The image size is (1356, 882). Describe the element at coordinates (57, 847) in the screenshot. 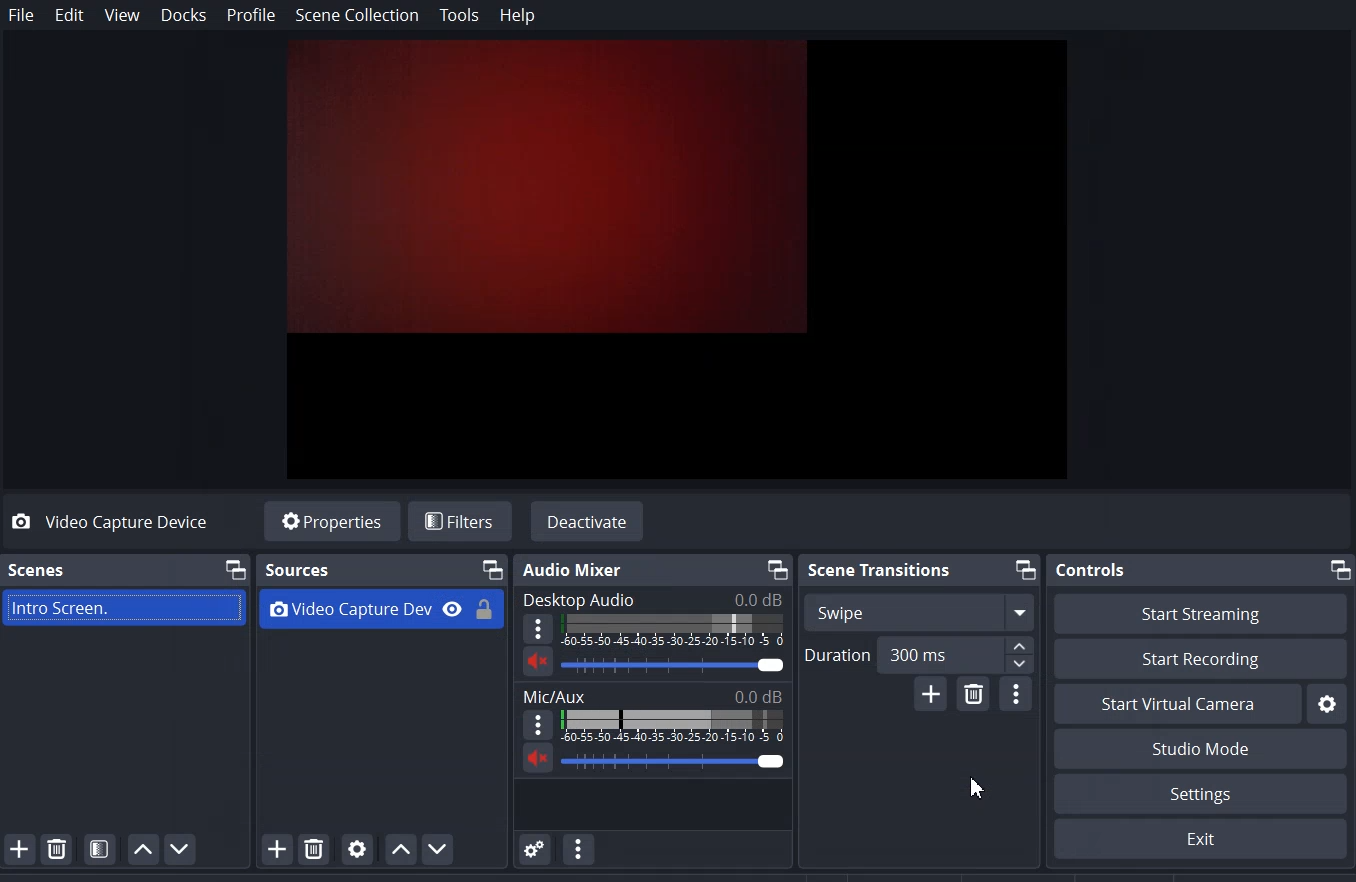

I see `Remove Selected Scene` at that location.